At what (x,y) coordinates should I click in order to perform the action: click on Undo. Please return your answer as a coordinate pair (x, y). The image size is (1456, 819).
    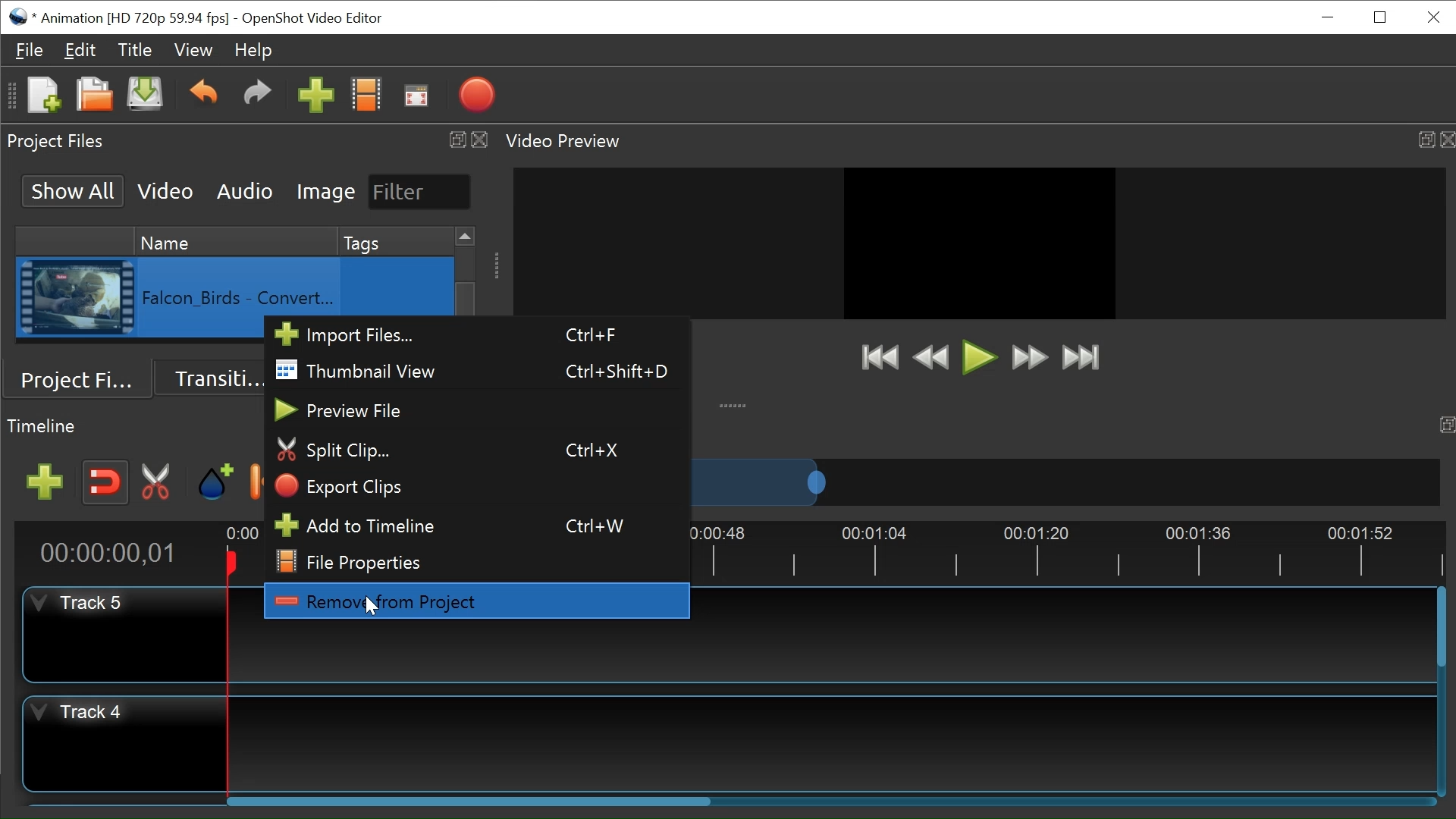
    Looking at the image, I should click on (203, 96).